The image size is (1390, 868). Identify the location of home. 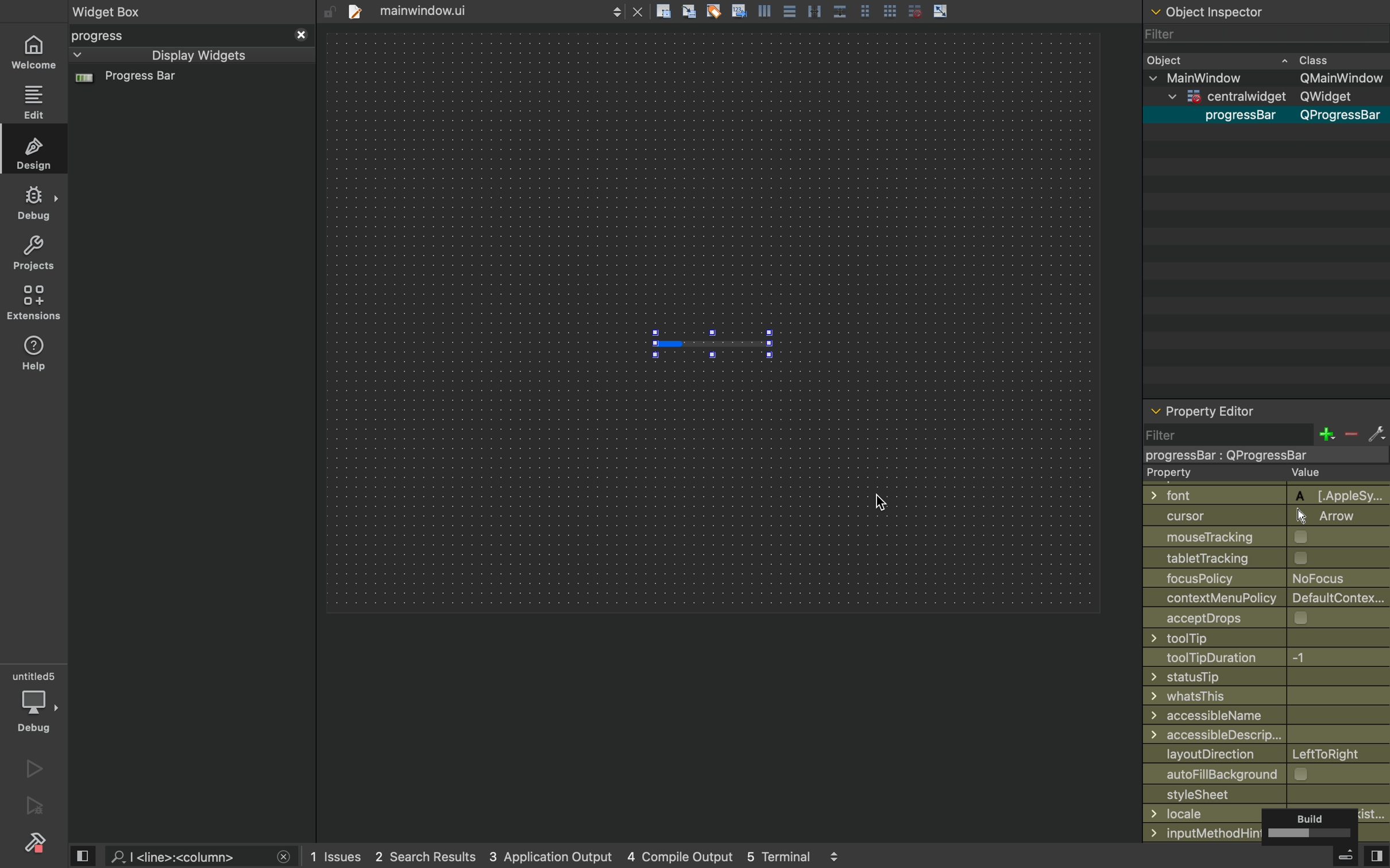
(33, 53).